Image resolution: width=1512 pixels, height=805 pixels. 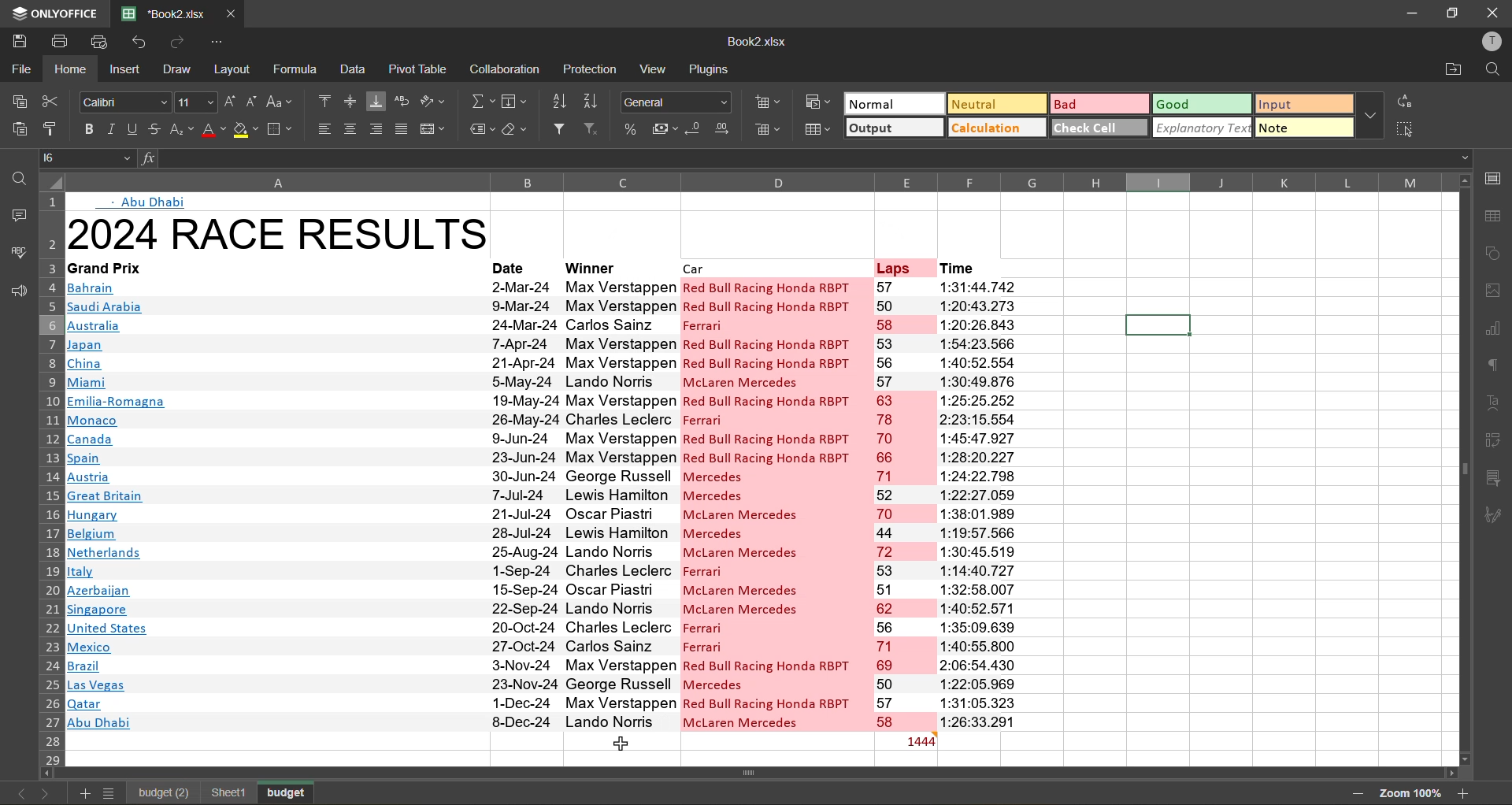 What do you see at coordinates (53, 11) in the screenshot?
I see `app name` at bounding box center [53, 11].